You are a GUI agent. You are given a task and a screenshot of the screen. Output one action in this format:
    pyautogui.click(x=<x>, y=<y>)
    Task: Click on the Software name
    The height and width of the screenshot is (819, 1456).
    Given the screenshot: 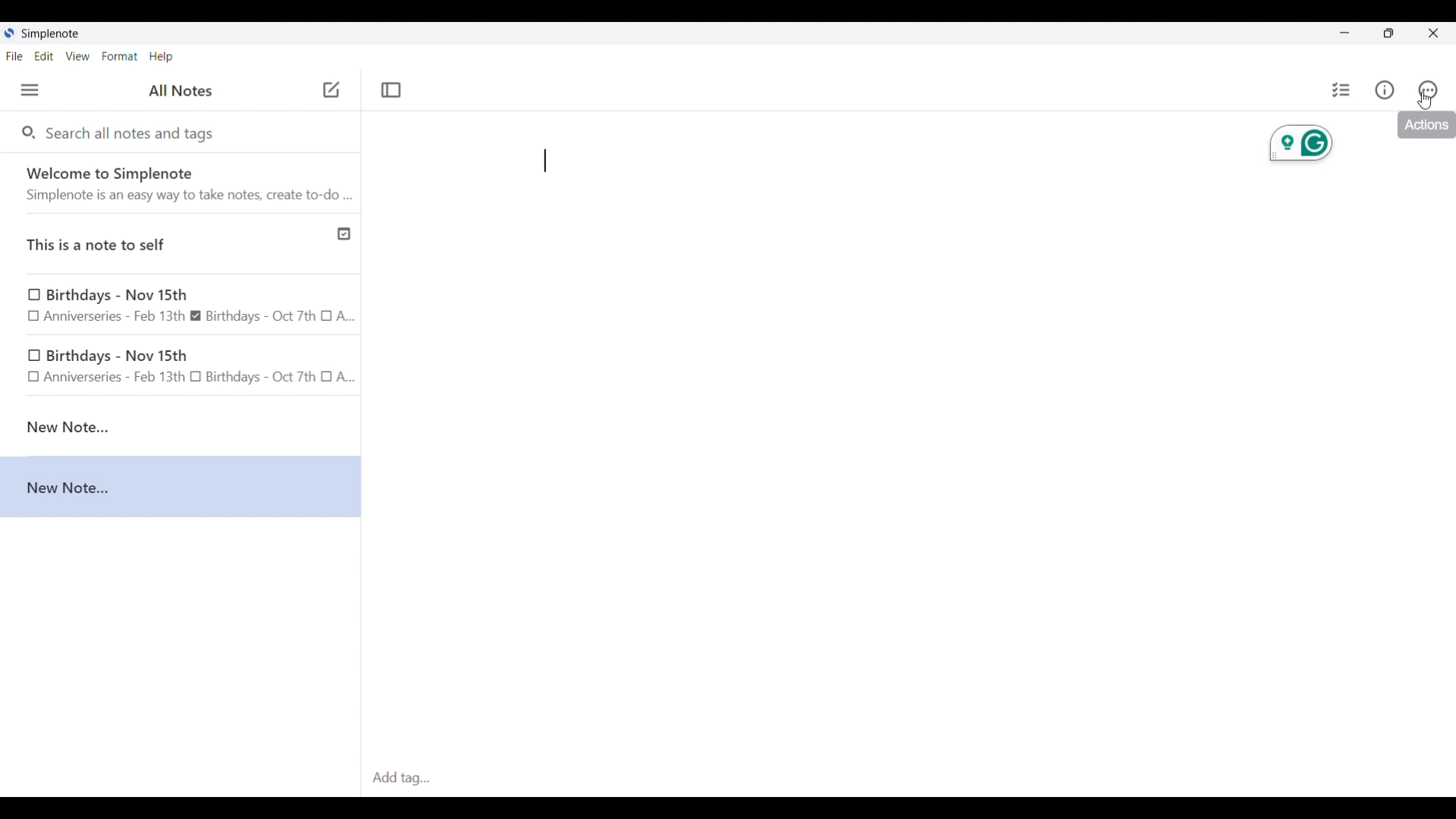 What is the action you would take?
    pyautogui.click(x=52, y=34)
    